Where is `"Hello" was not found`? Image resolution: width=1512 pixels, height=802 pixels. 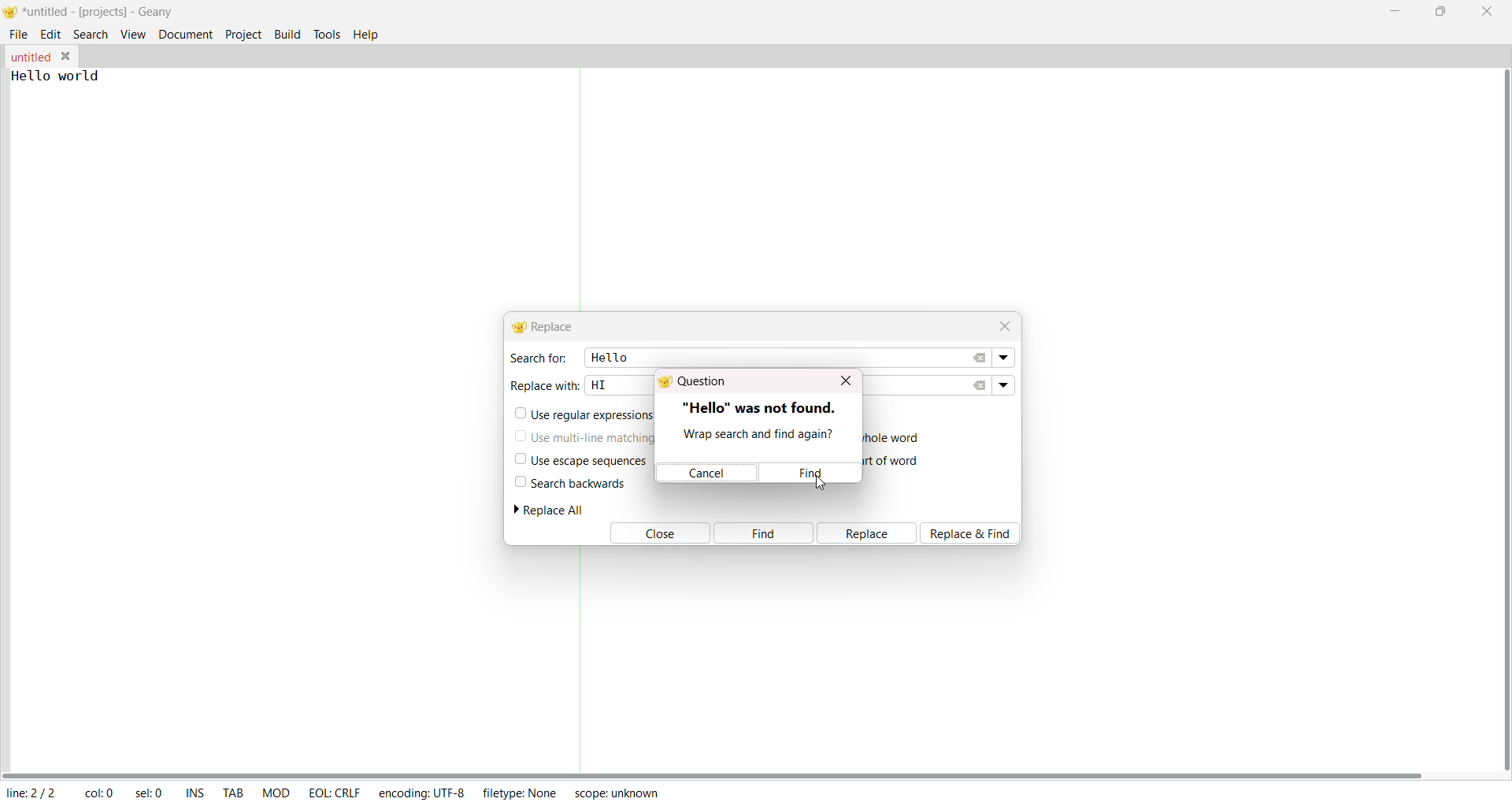 "Hello" was not found is located at coordinates (759, 406).